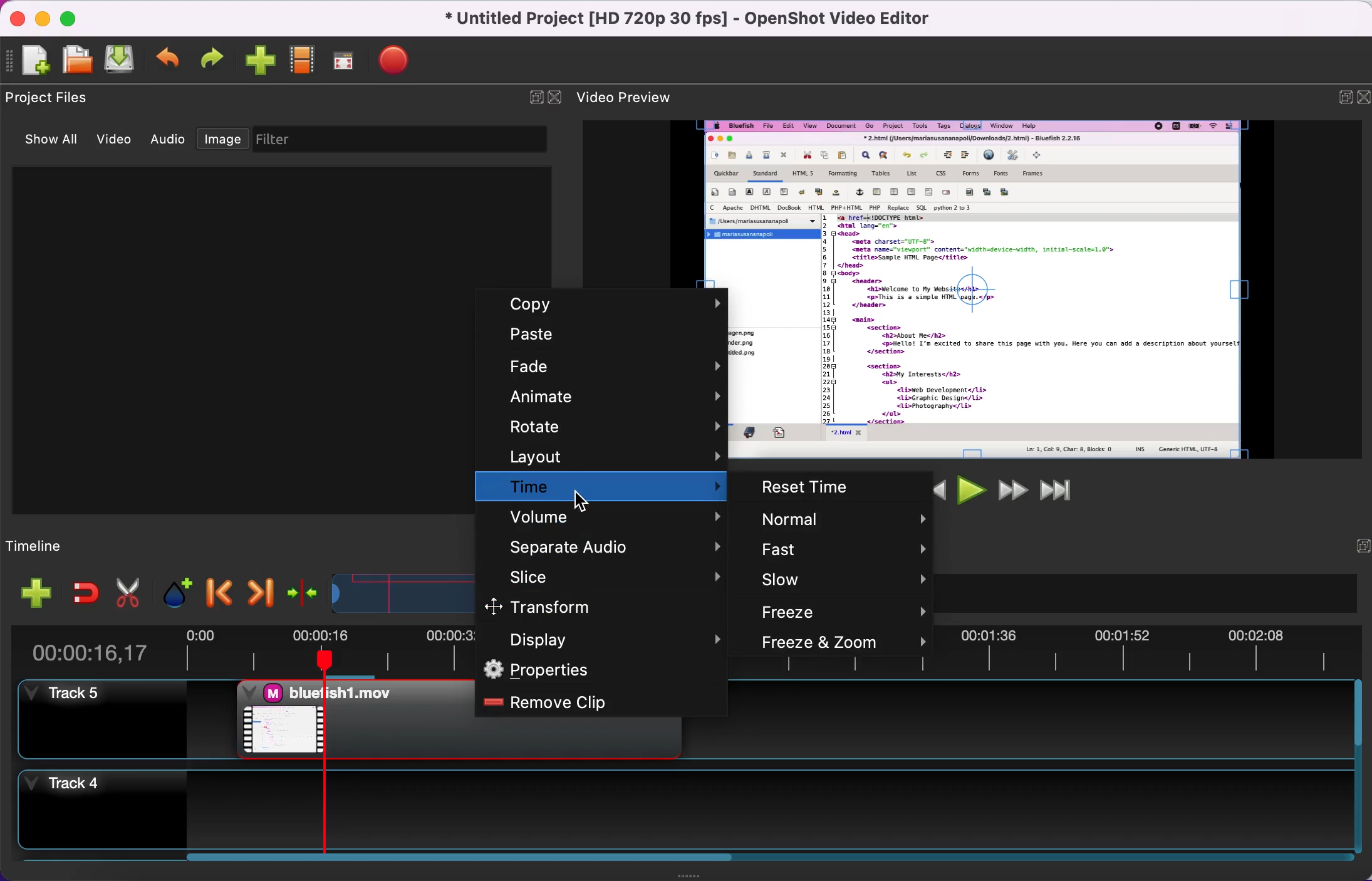  Describe the element at coordinates (637, 95) in the screenshot. I see `video preview` at that location.